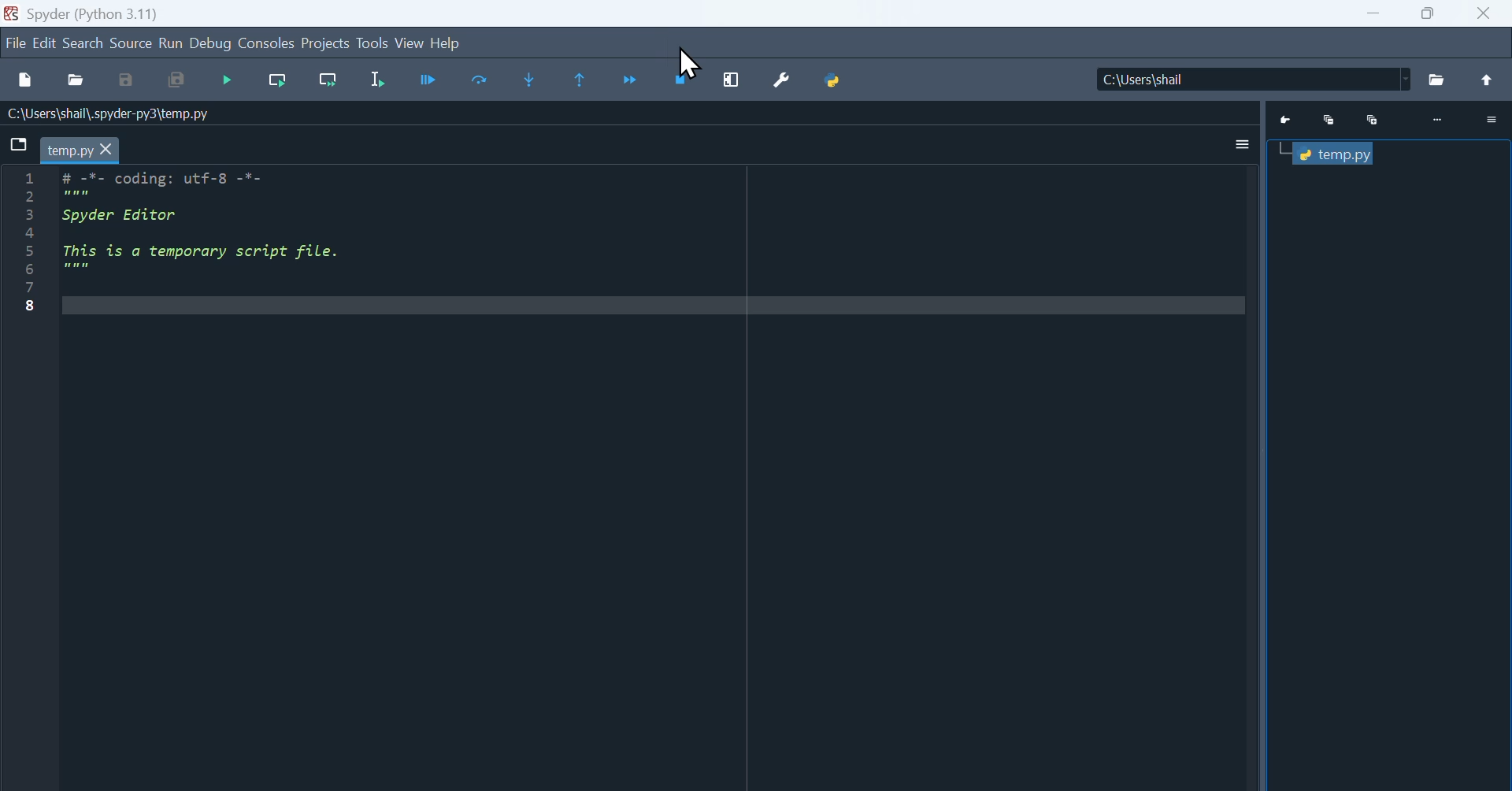  I want to click on close, so click(1487, 13).